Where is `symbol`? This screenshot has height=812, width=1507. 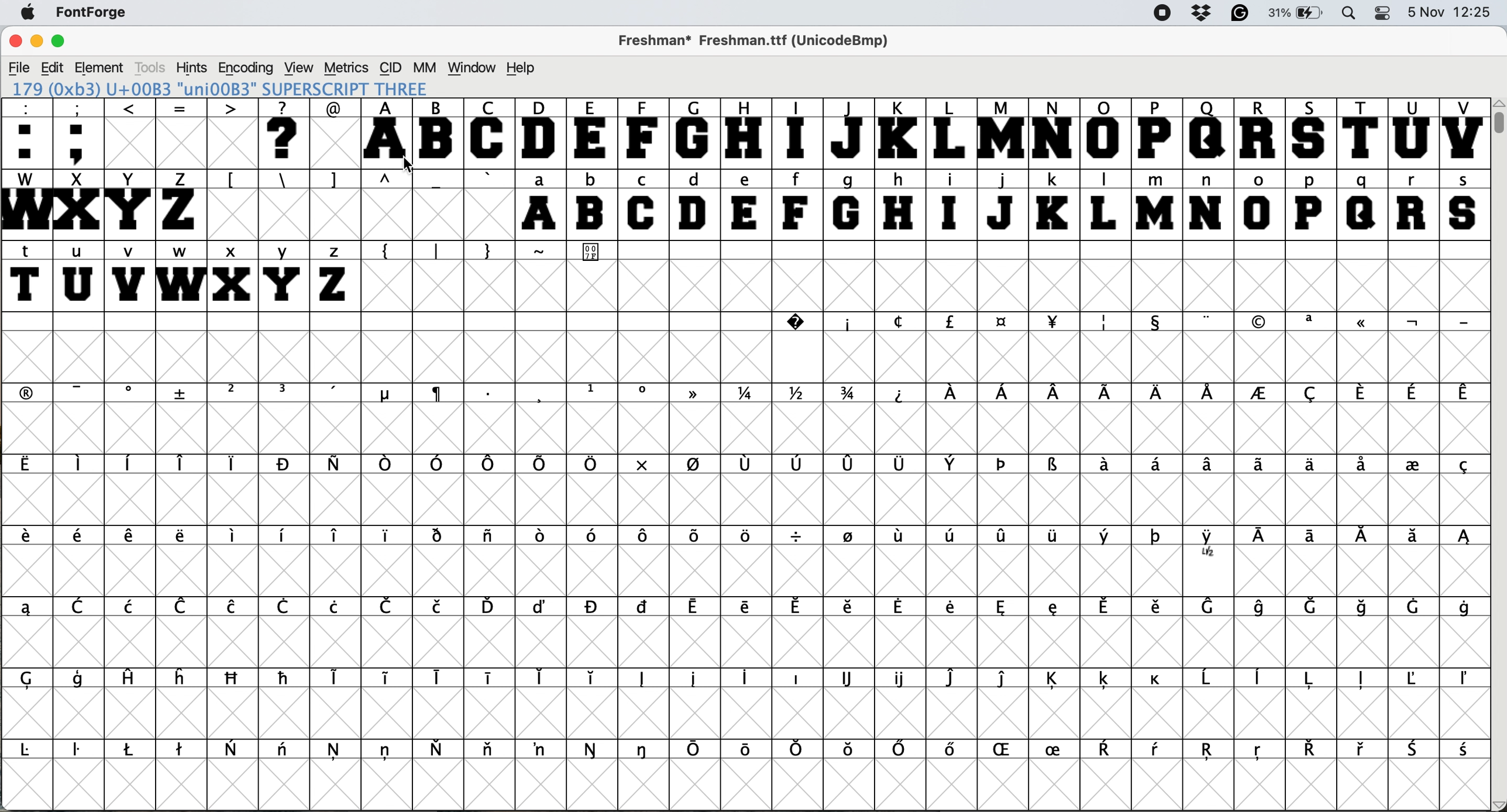
symbol is located at coordinates (1363, 466).